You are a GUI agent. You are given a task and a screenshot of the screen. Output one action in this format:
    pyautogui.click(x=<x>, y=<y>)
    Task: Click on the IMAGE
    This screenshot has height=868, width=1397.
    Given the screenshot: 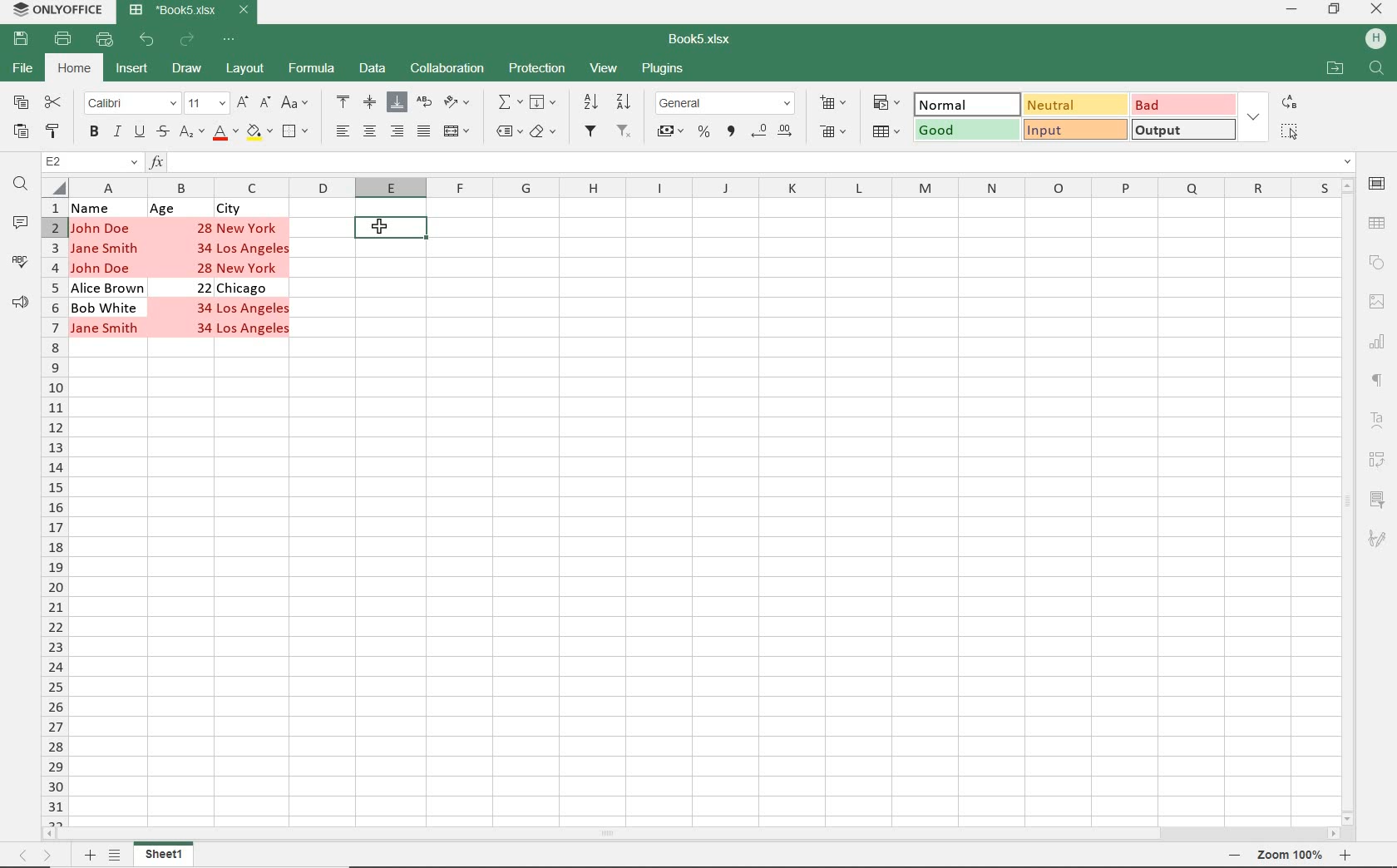 What is the action you would take?
    pyautogui.click(x=1376, y=299)
    